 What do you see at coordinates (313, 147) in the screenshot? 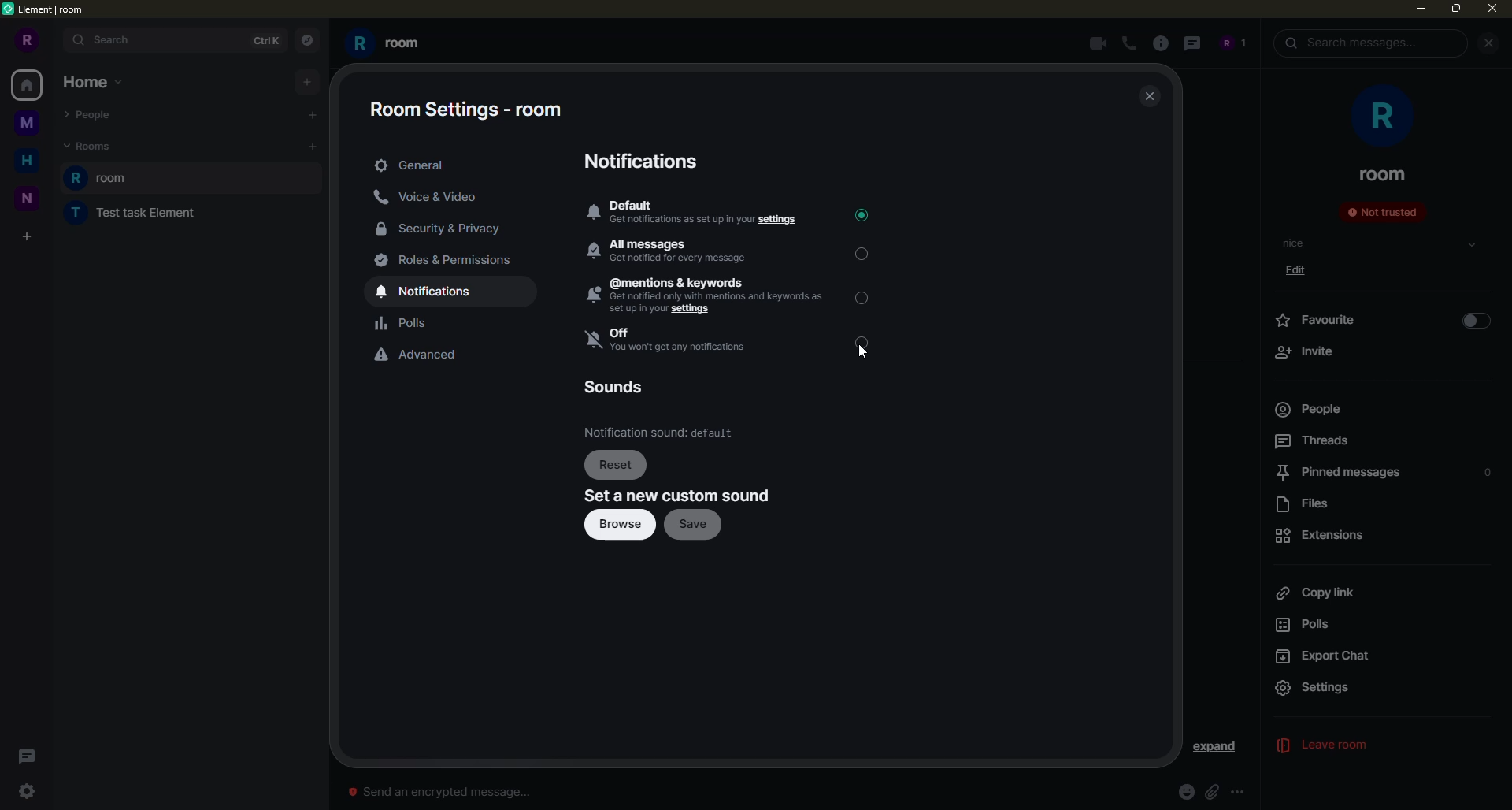
I see `add` at bounding box center [313, 147].